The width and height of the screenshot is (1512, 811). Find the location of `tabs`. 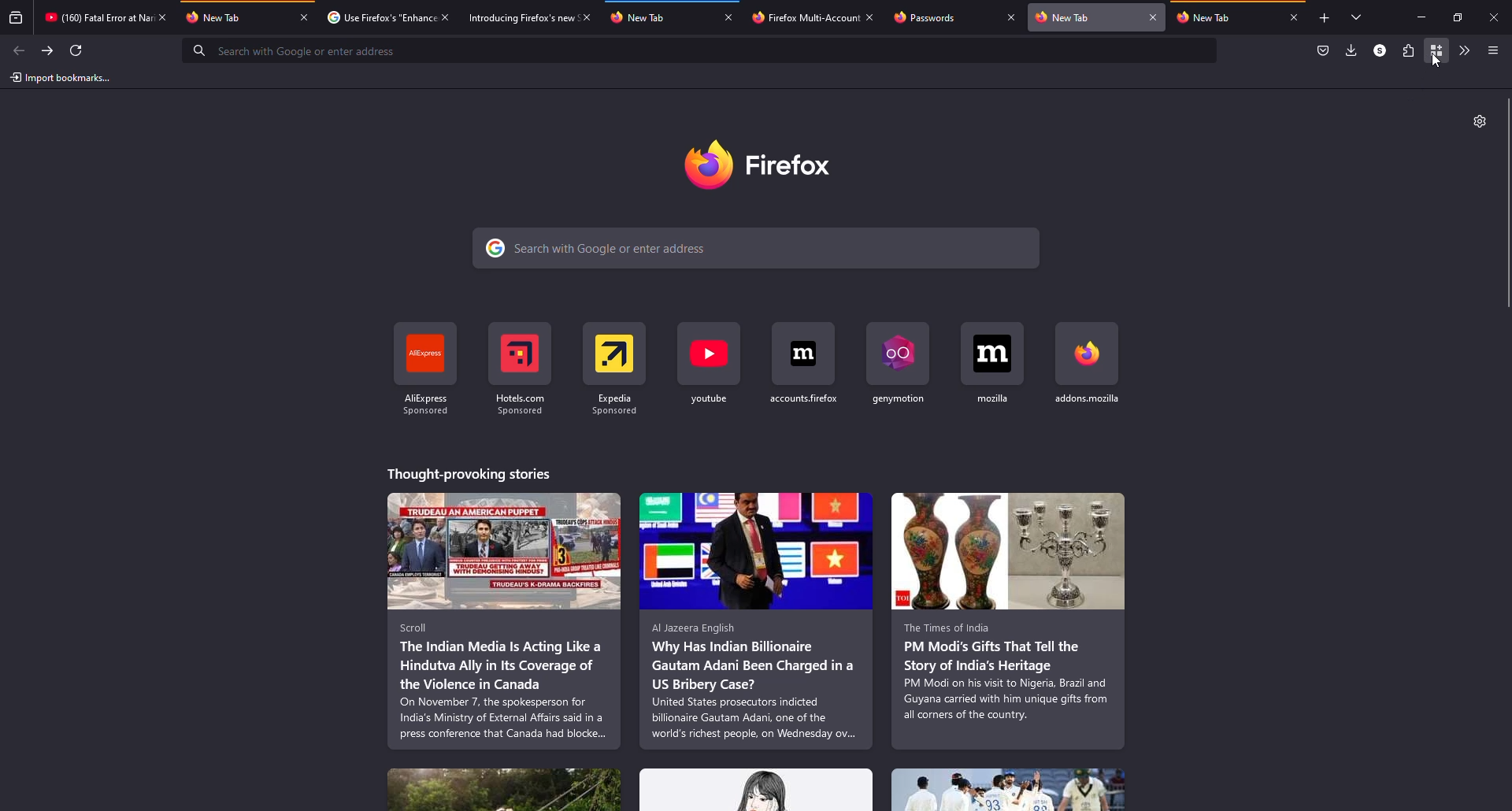

tabs is located at coordinates (1352, 17).